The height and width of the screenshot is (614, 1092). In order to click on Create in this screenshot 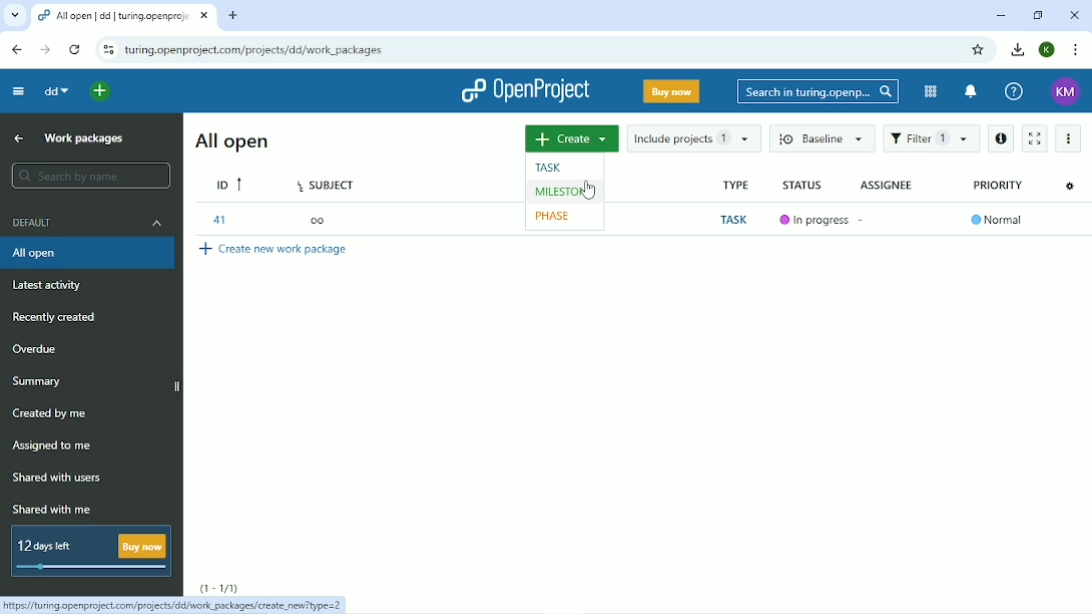, I will do `click(570, 138)`.